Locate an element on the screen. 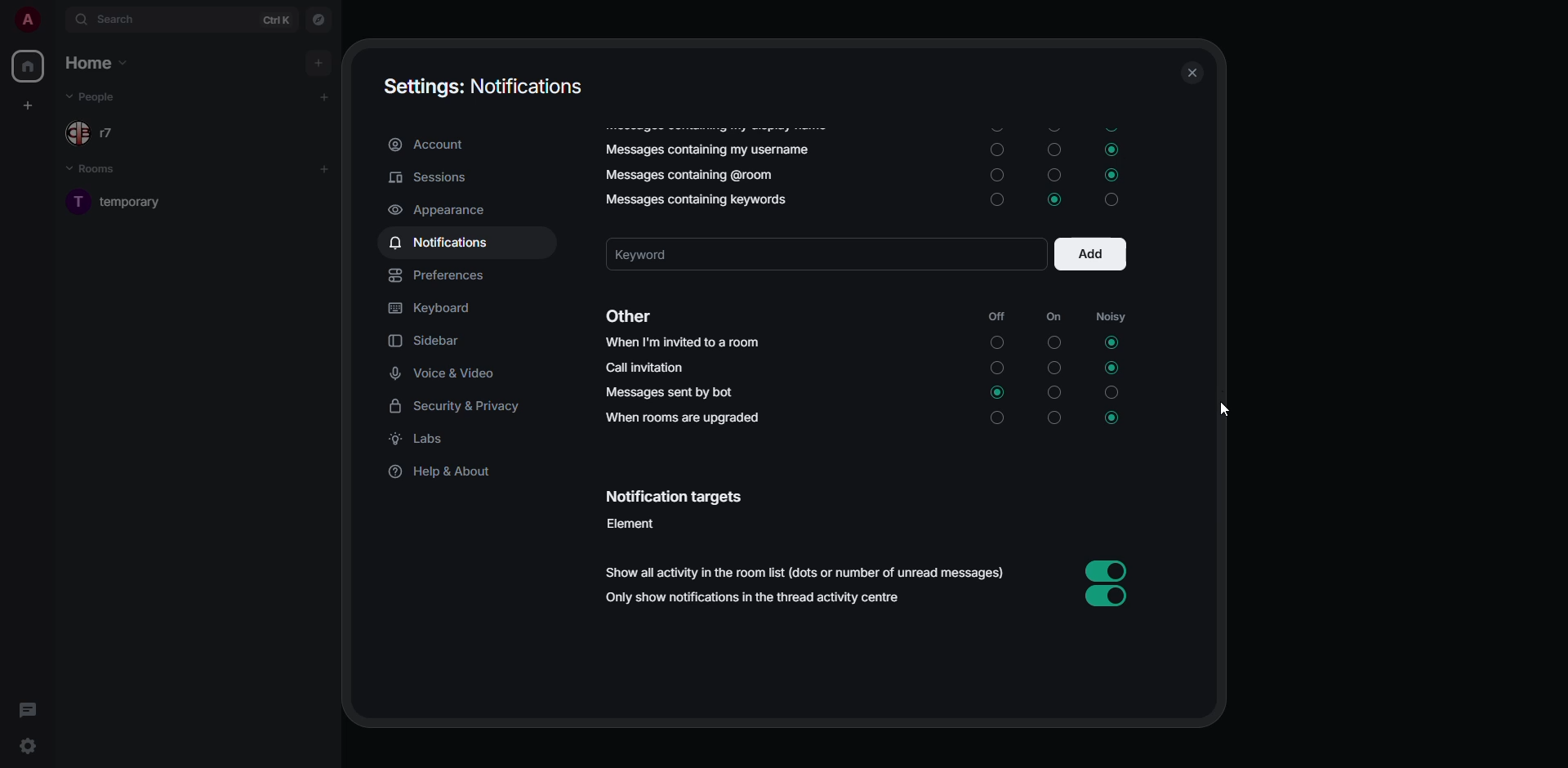  home is located at coordinates (100, 64).